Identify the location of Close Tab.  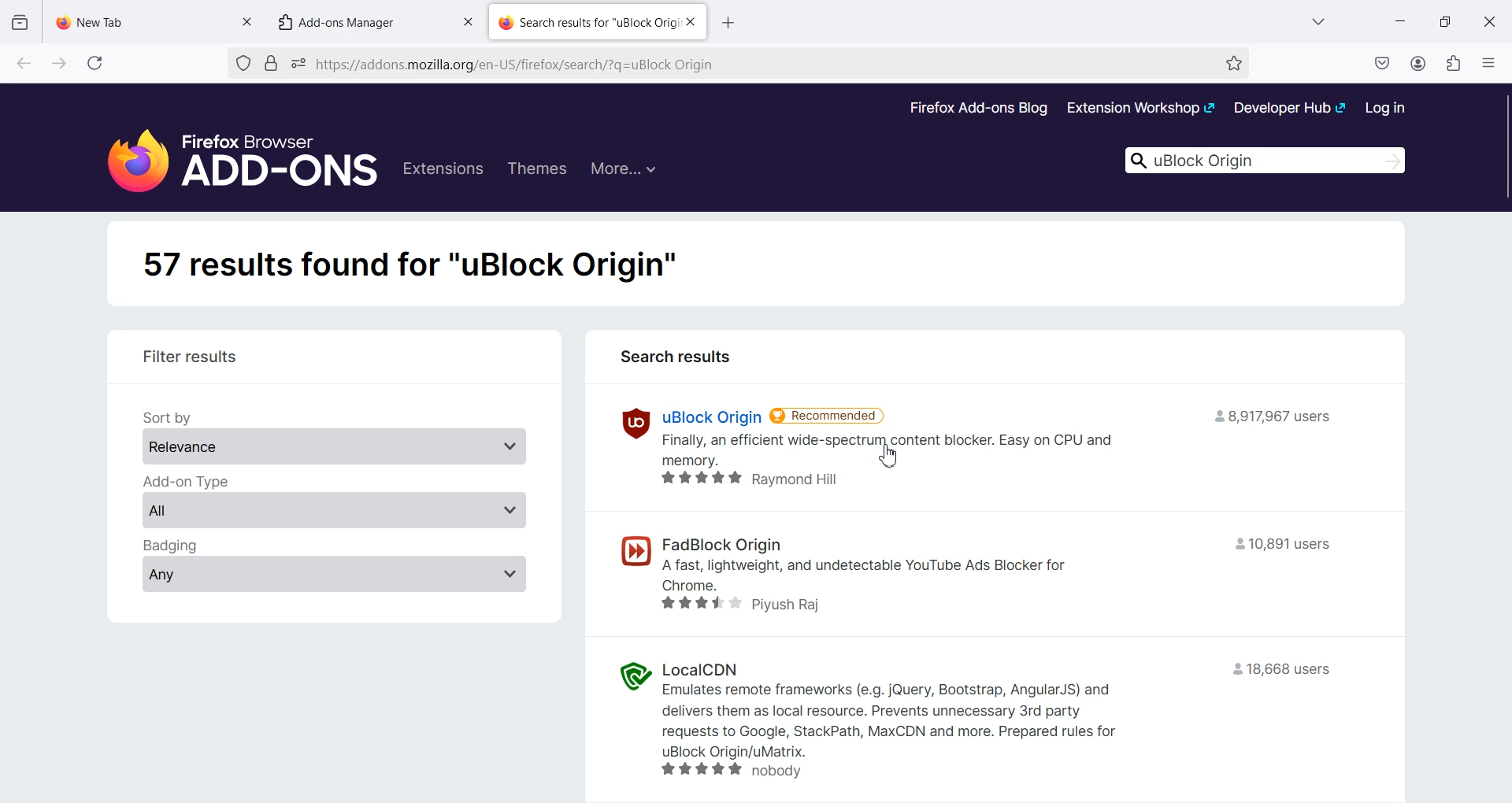
(691, 23).